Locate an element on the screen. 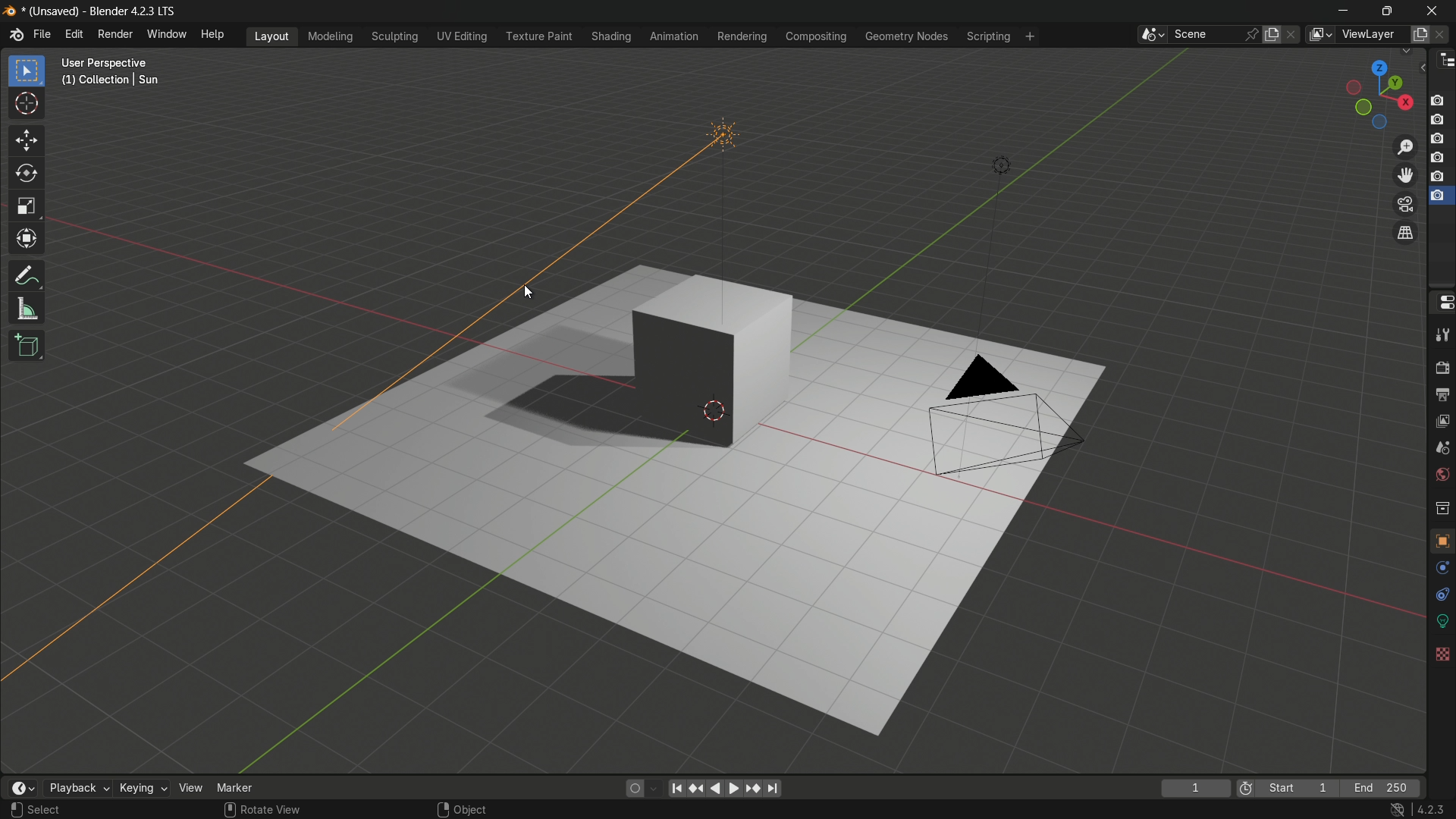  texture paint is located at coordinates (535, 36).